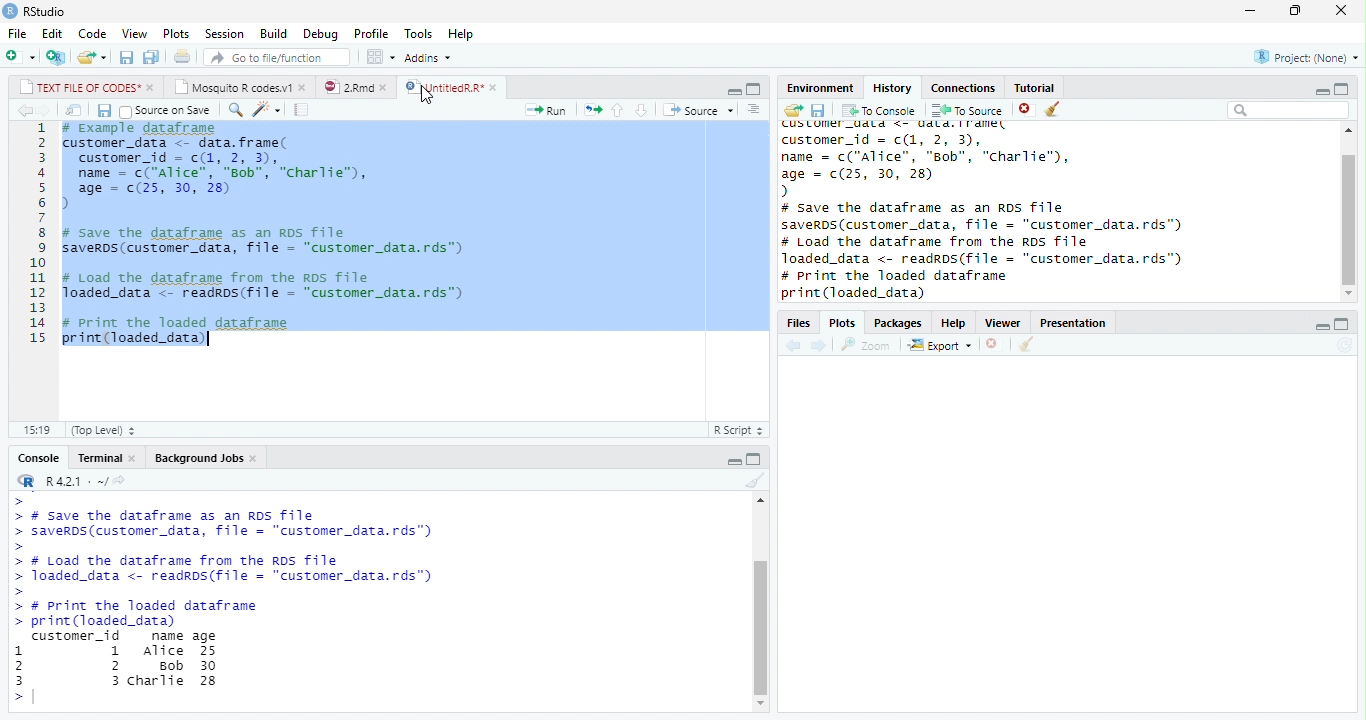 This screenshot has height=720, width=1366. What do you see at coordinates (151, 58) in the screenshot?
I see `save all` at bounding box center [151, 58].